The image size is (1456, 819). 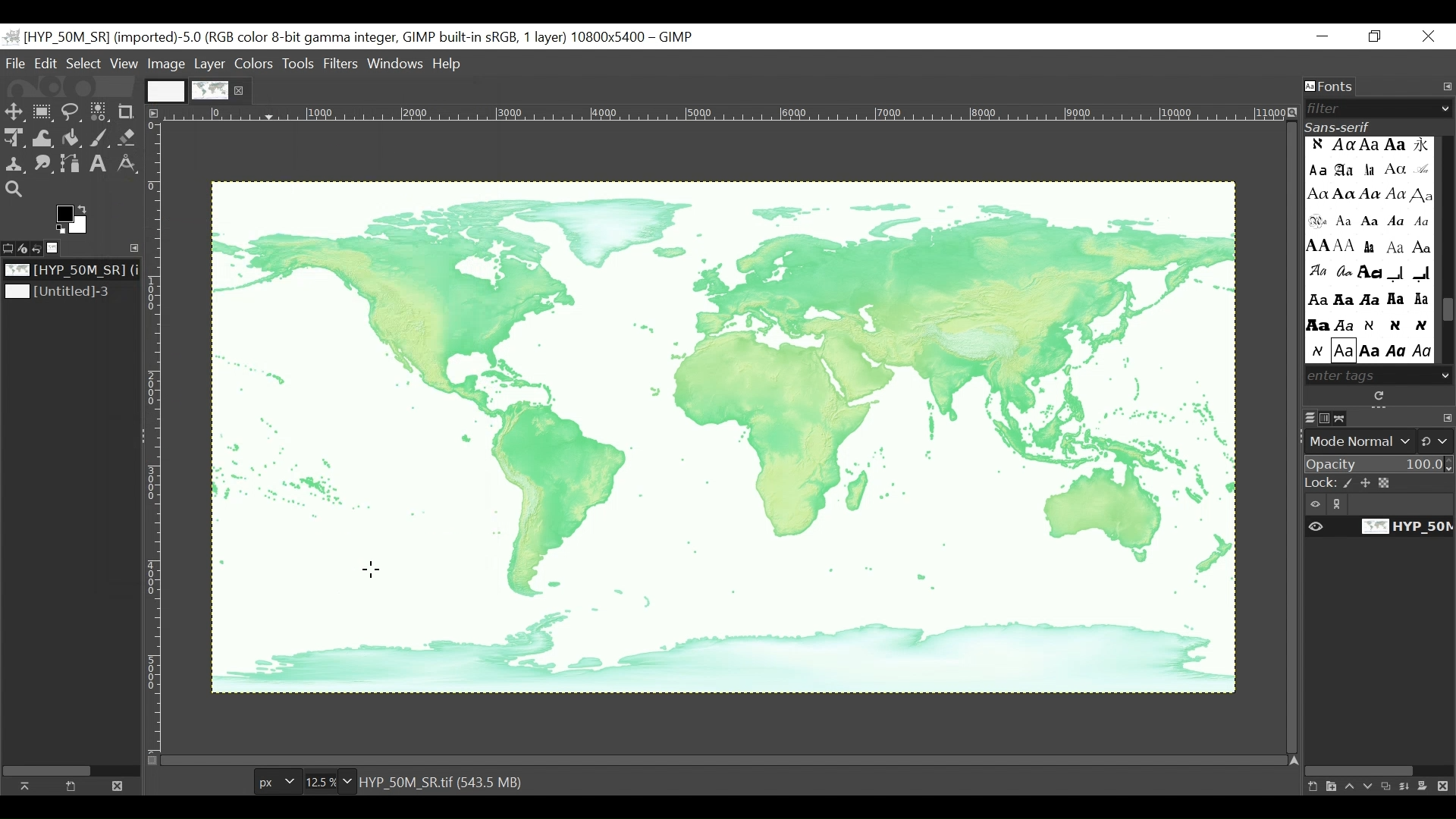 What do you see at coordinates (124, 64) in the screenshot?
I see `View` at bounding box center [124, 64].